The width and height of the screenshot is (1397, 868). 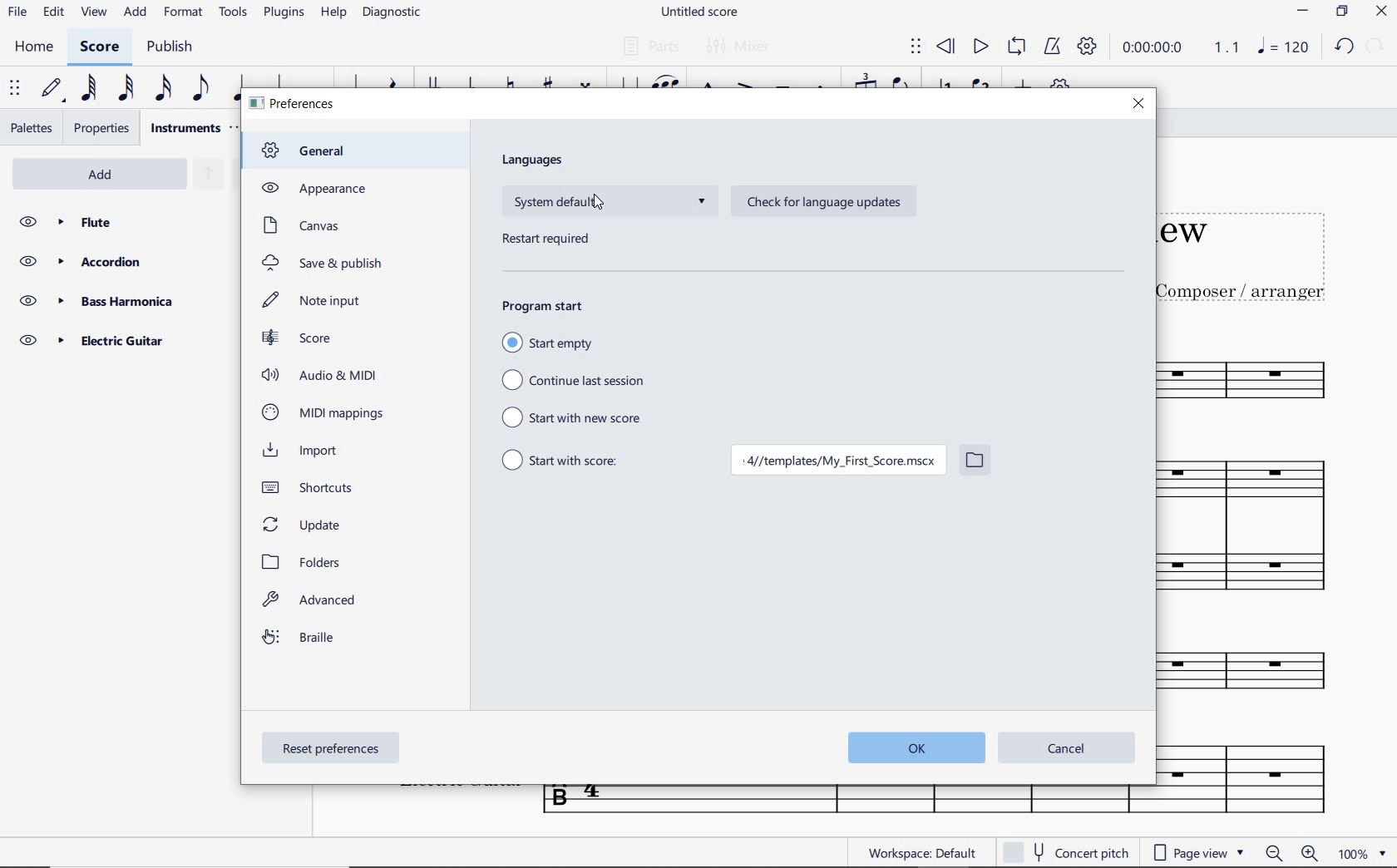 I want to click on close, so click(x=1138, y=104).